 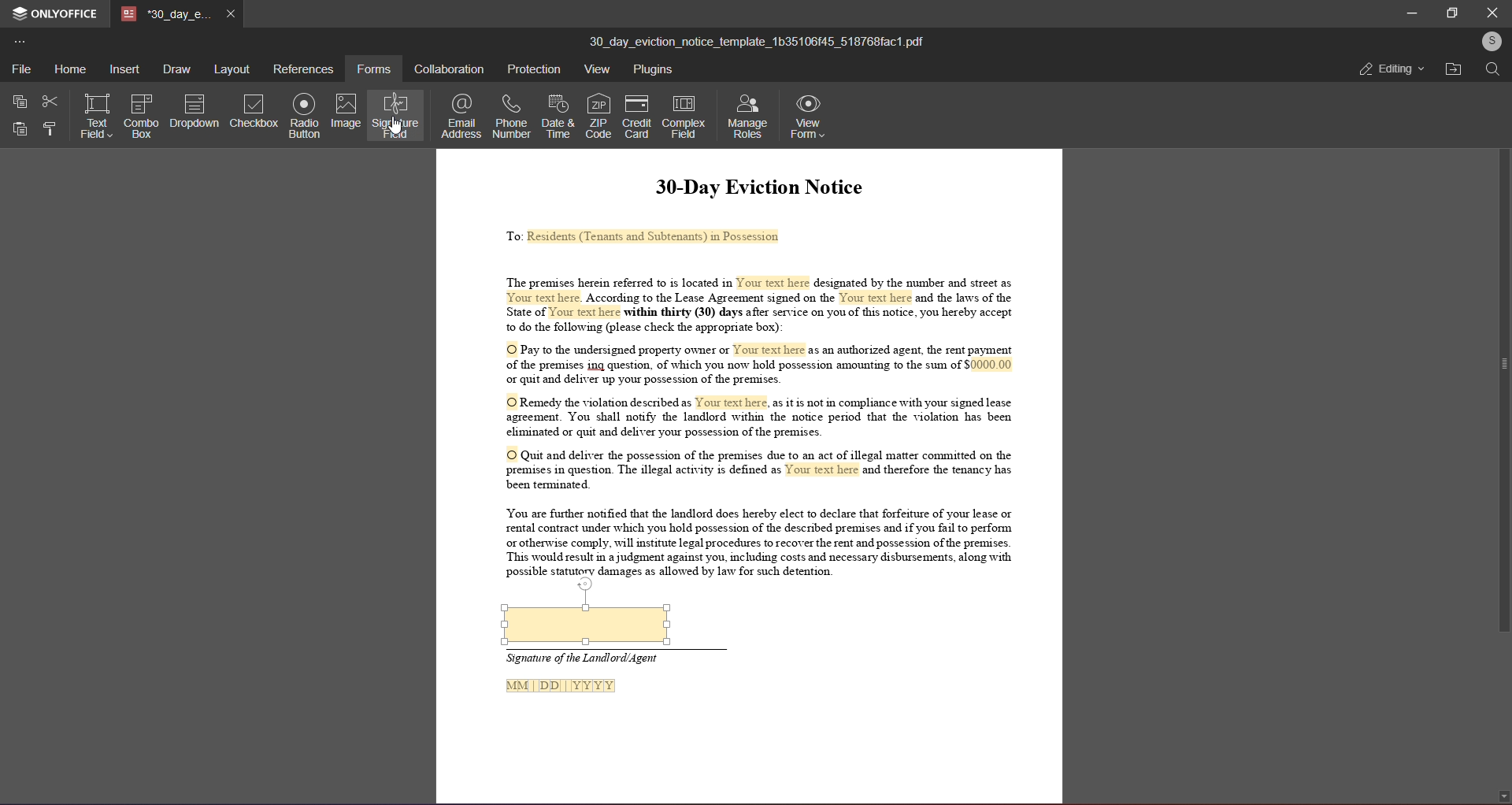 I want to click on dropdown, so click(x=194, y=110).